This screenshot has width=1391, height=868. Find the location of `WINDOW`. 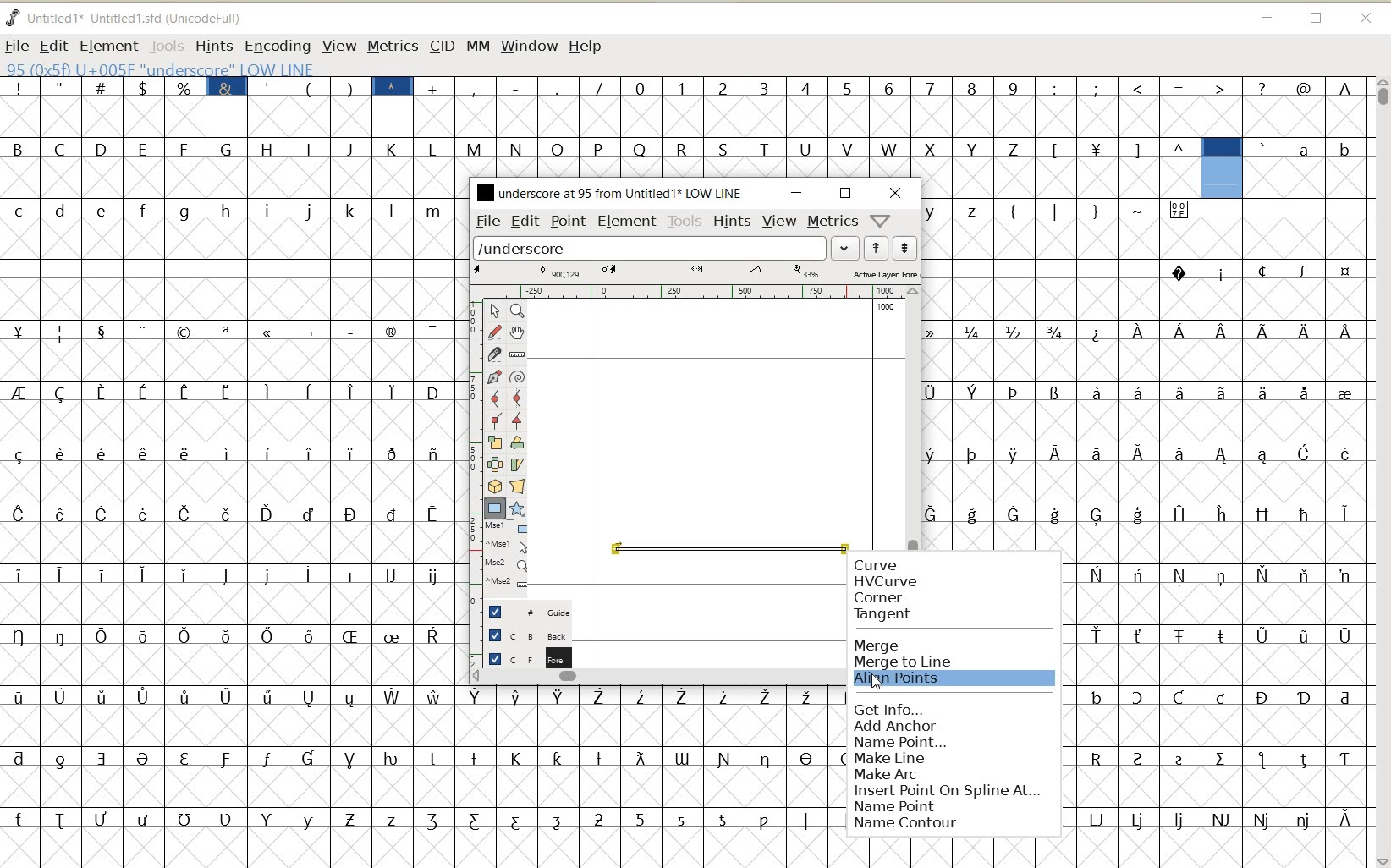

WINDOW is located at coordinates (530, 47).